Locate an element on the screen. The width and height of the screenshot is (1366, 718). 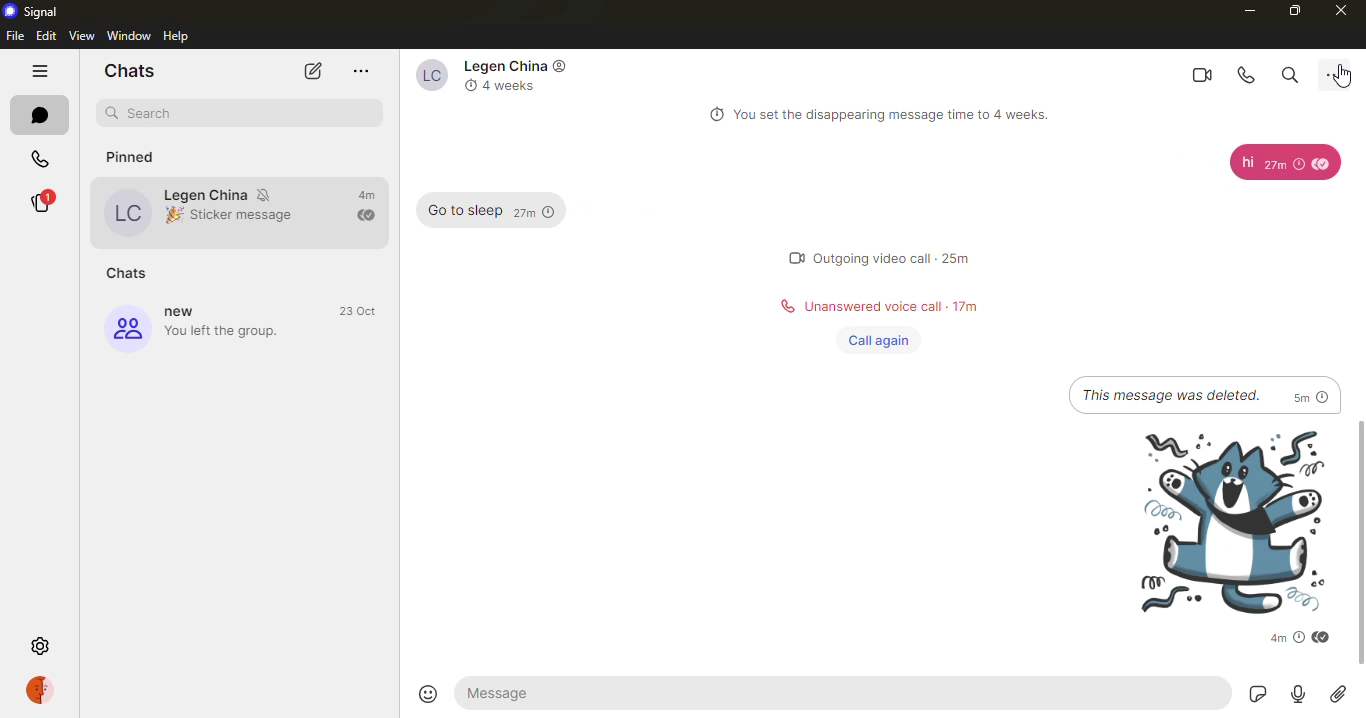
time is located at coordinates (1284, 165).